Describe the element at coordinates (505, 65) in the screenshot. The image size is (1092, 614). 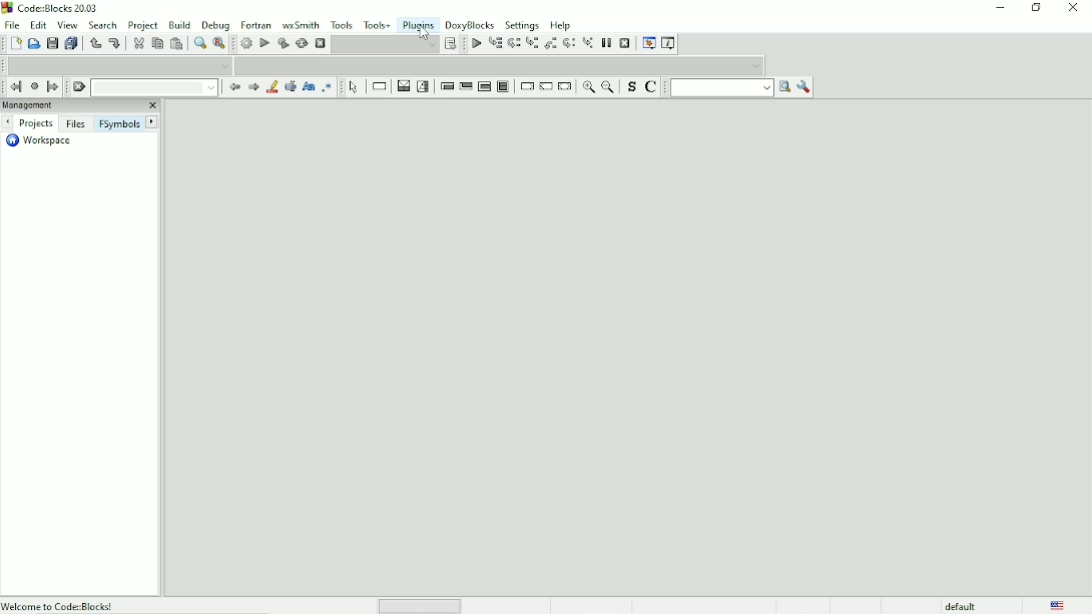
I see `Code completion compiler` at that location.